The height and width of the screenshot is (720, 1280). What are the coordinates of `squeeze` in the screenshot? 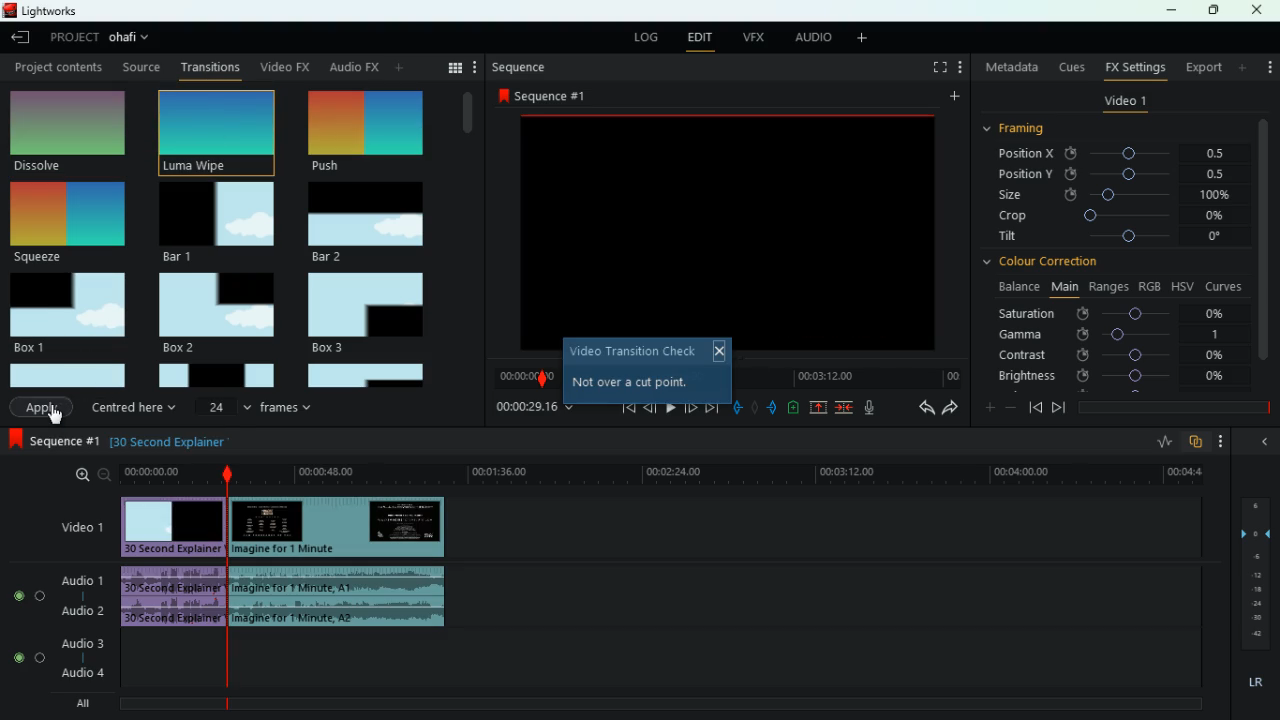 It's located at (65, 223).